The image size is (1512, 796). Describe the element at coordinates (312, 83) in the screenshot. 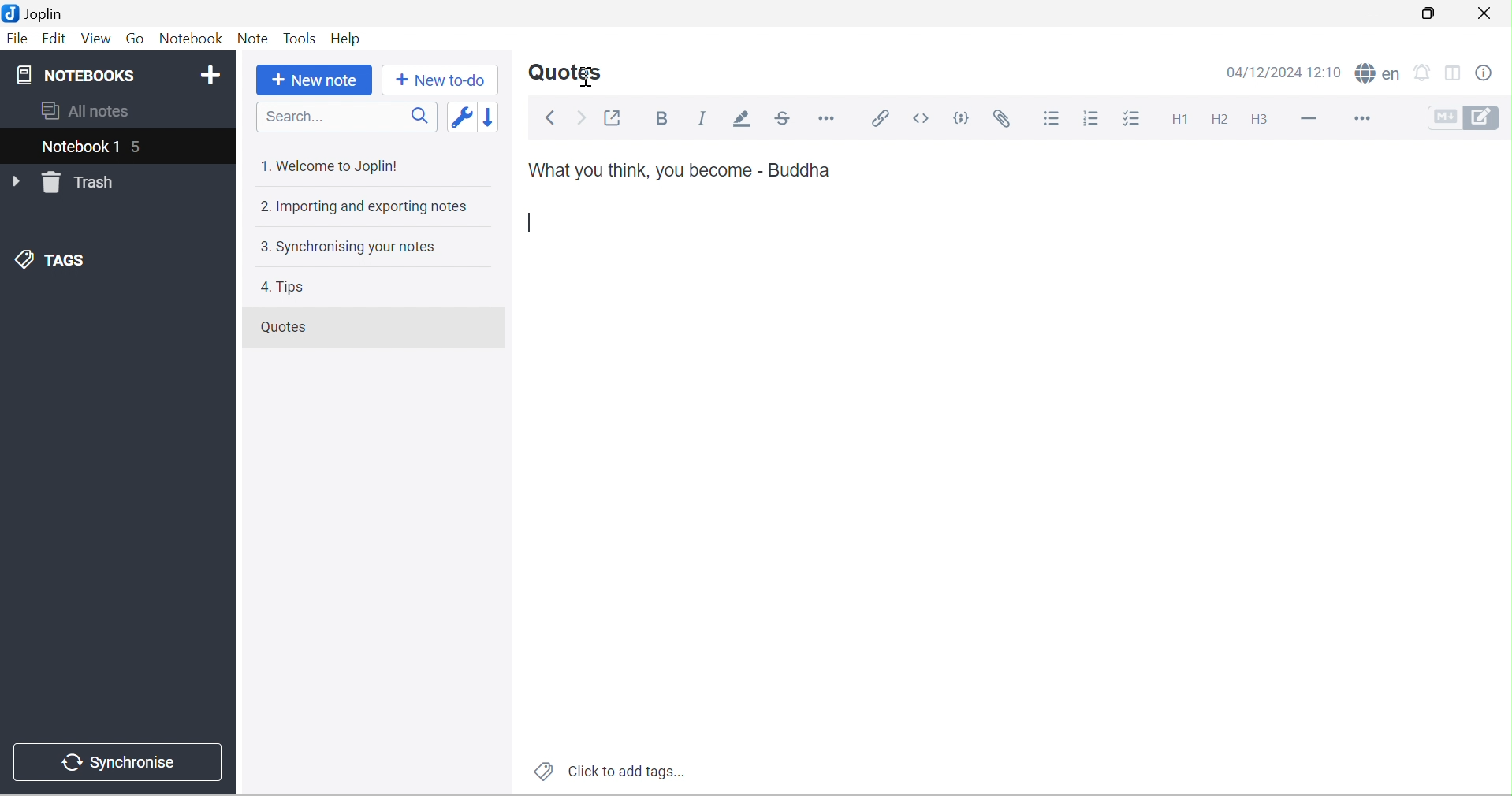

I see `New note` at that location.